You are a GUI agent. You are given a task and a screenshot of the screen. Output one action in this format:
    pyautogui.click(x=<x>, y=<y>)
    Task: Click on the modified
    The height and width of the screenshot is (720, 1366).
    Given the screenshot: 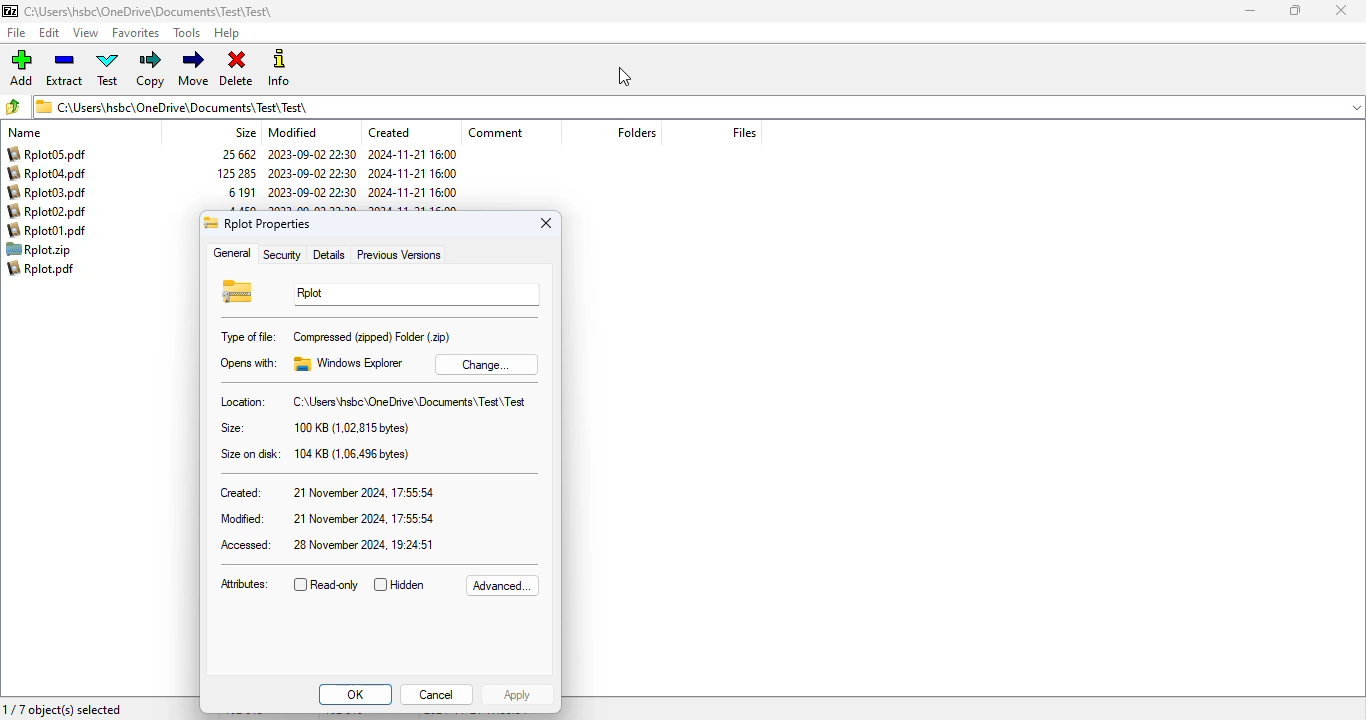 What is the action you would take?
    pyautogui.click(x=242, y=519)
    